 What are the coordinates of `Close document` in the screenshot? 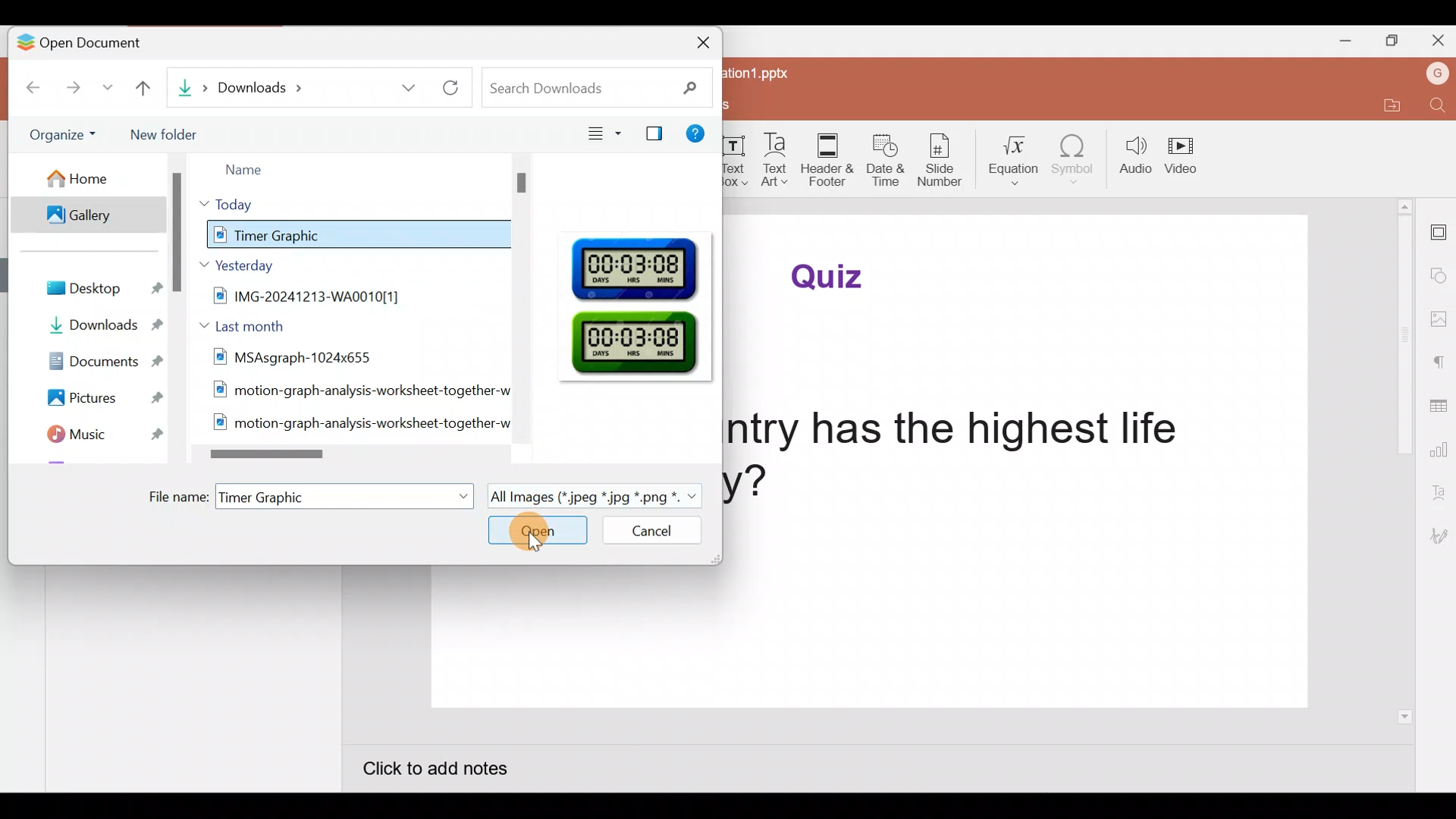 It's located at (692, 45).